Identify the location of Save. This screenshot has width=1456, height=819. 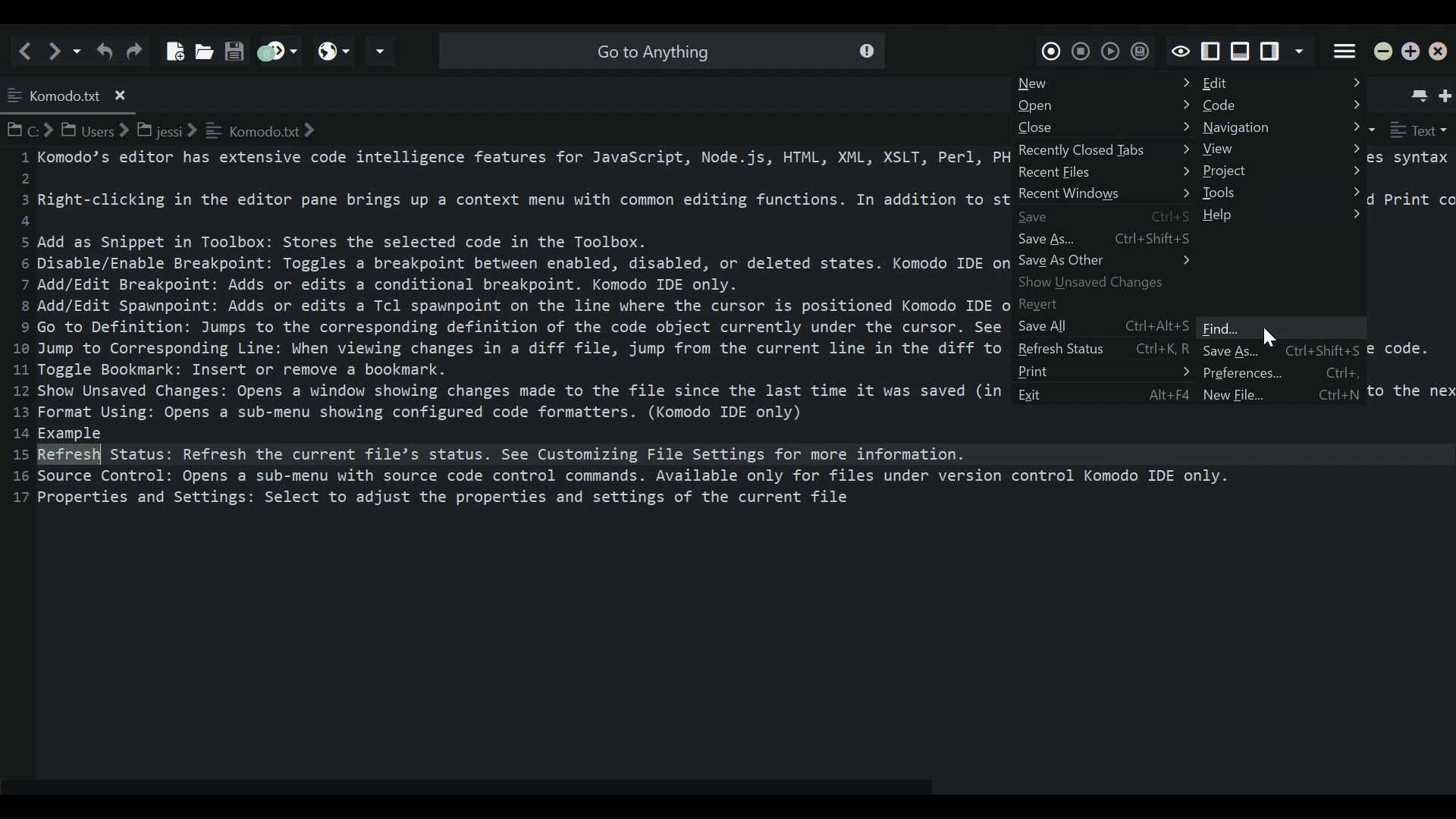
(234, 46).